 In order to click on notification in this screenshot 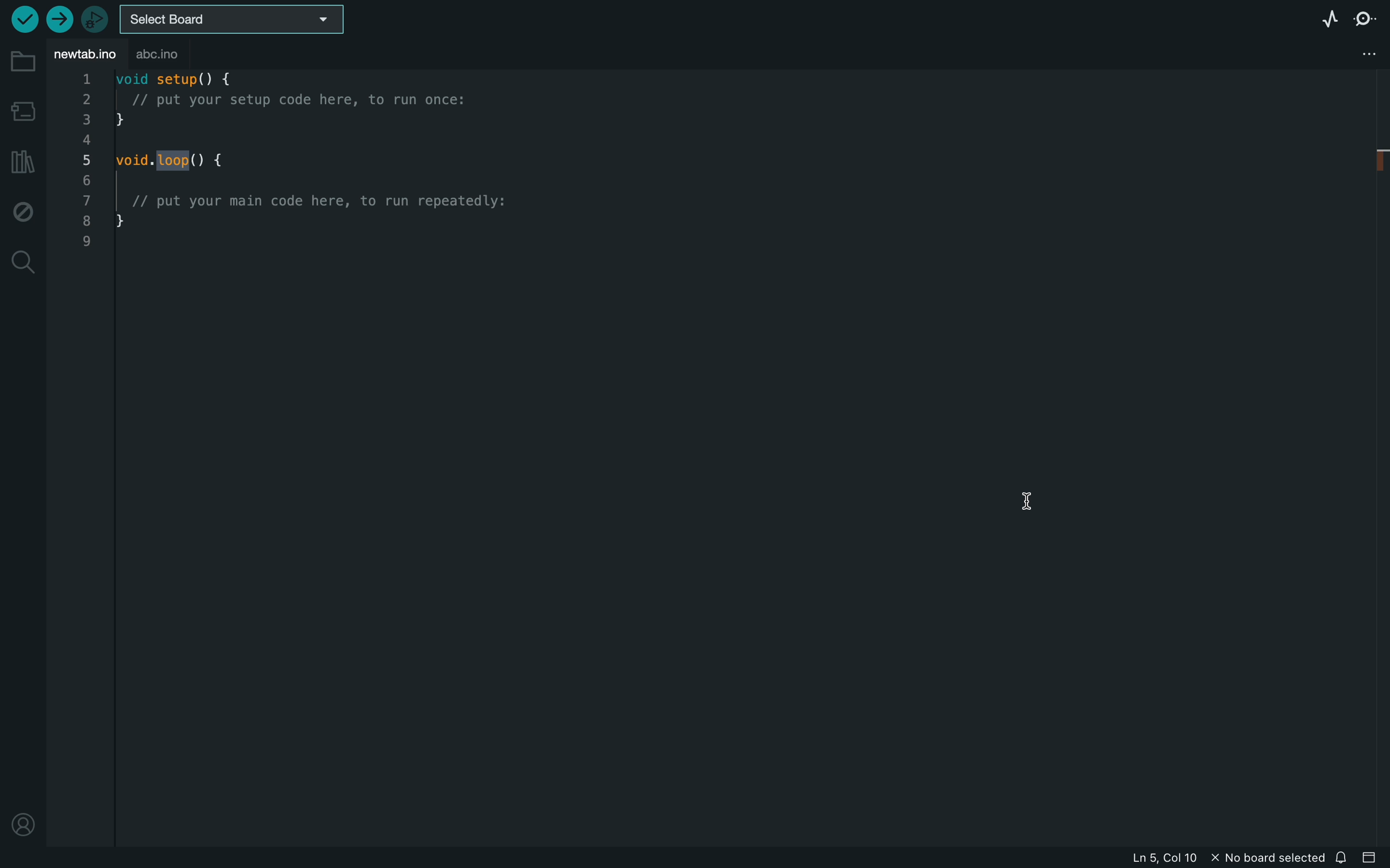, I will do `click(1344, 858)`.